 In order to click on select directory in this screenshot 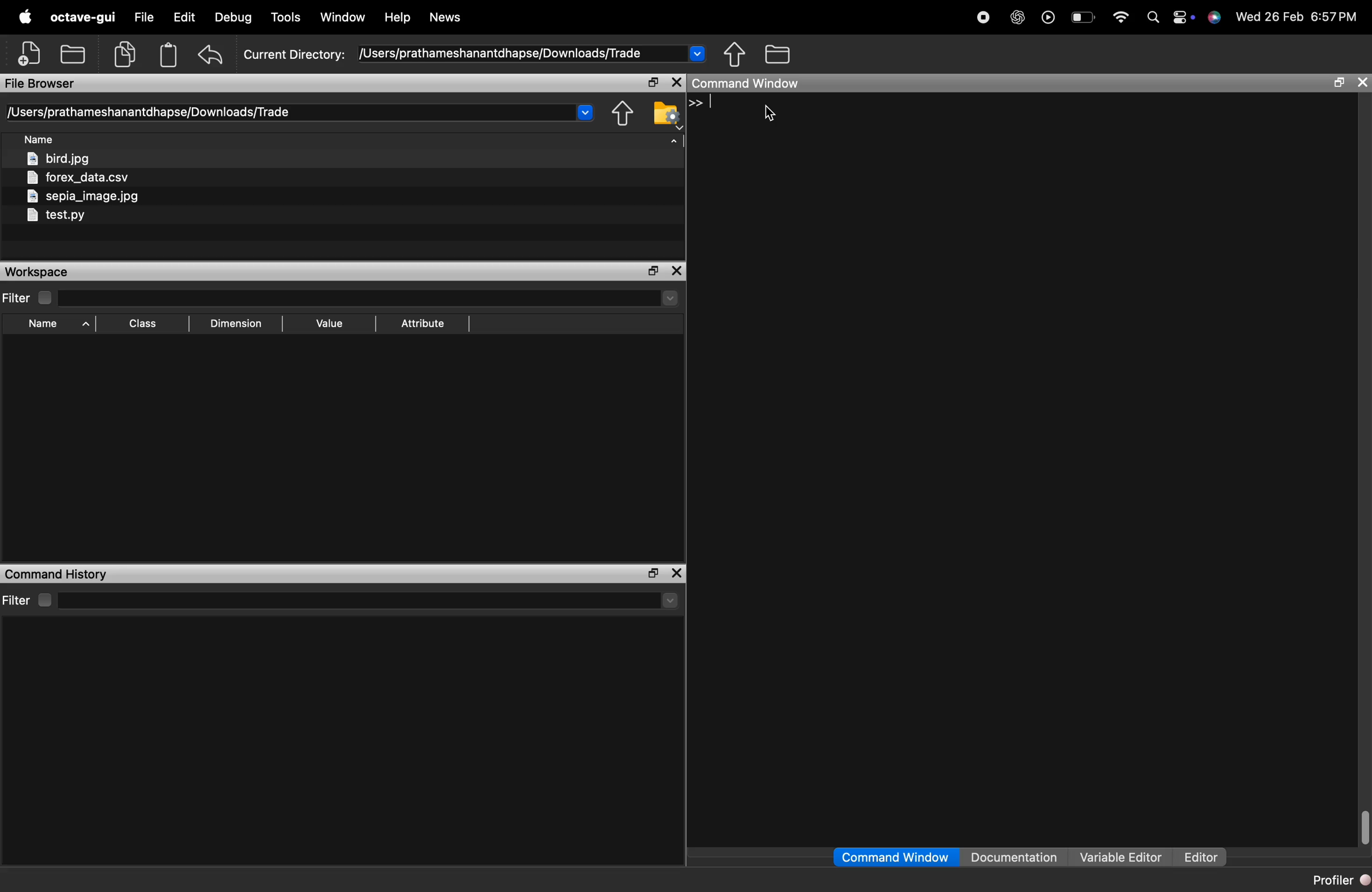, I will do `click(370, 600)`.